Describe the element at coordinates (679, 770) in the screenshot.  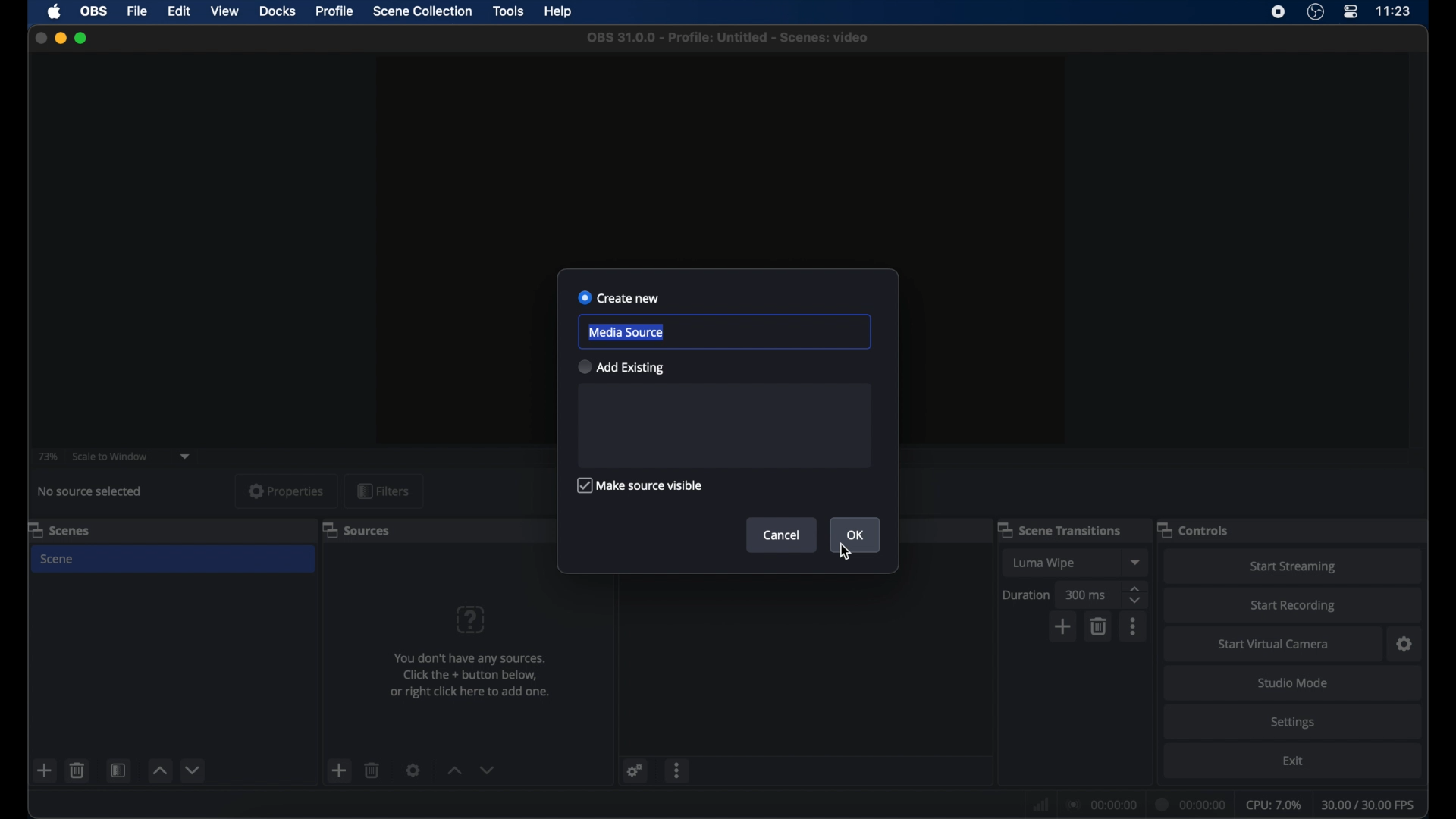
I see `more options` at that location.